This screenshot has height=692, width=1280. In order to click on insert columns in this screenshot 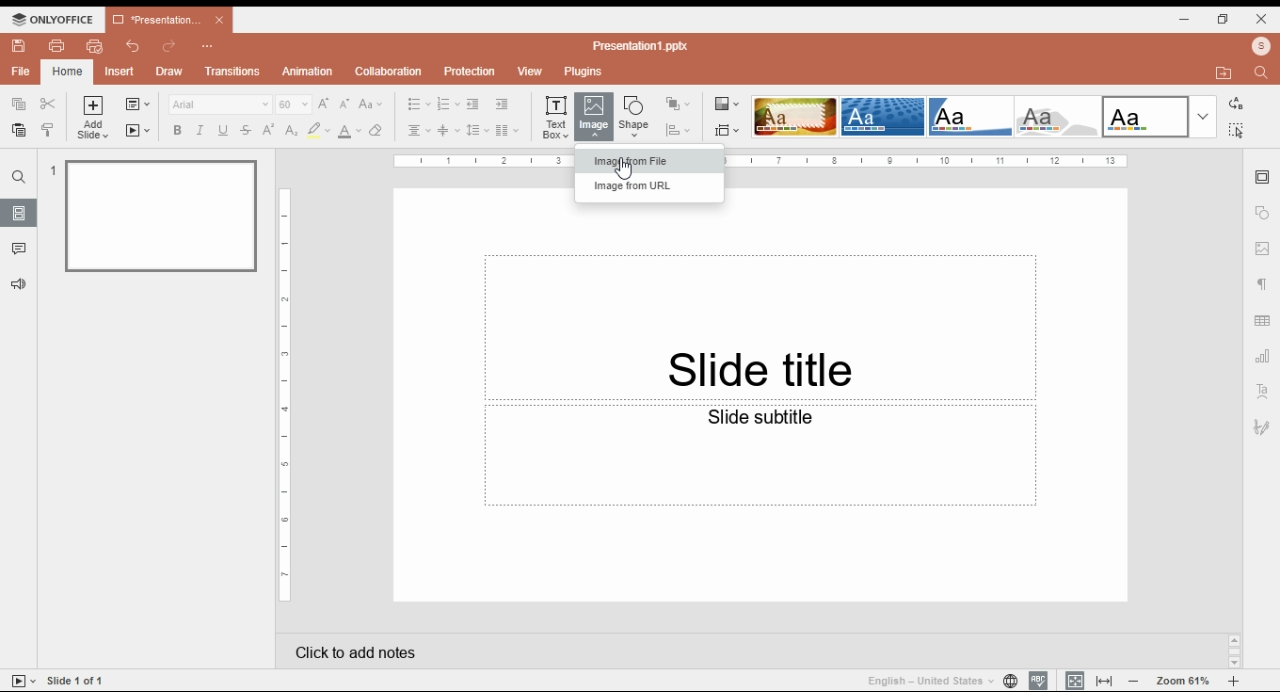, I will do `click(505, 131)`.